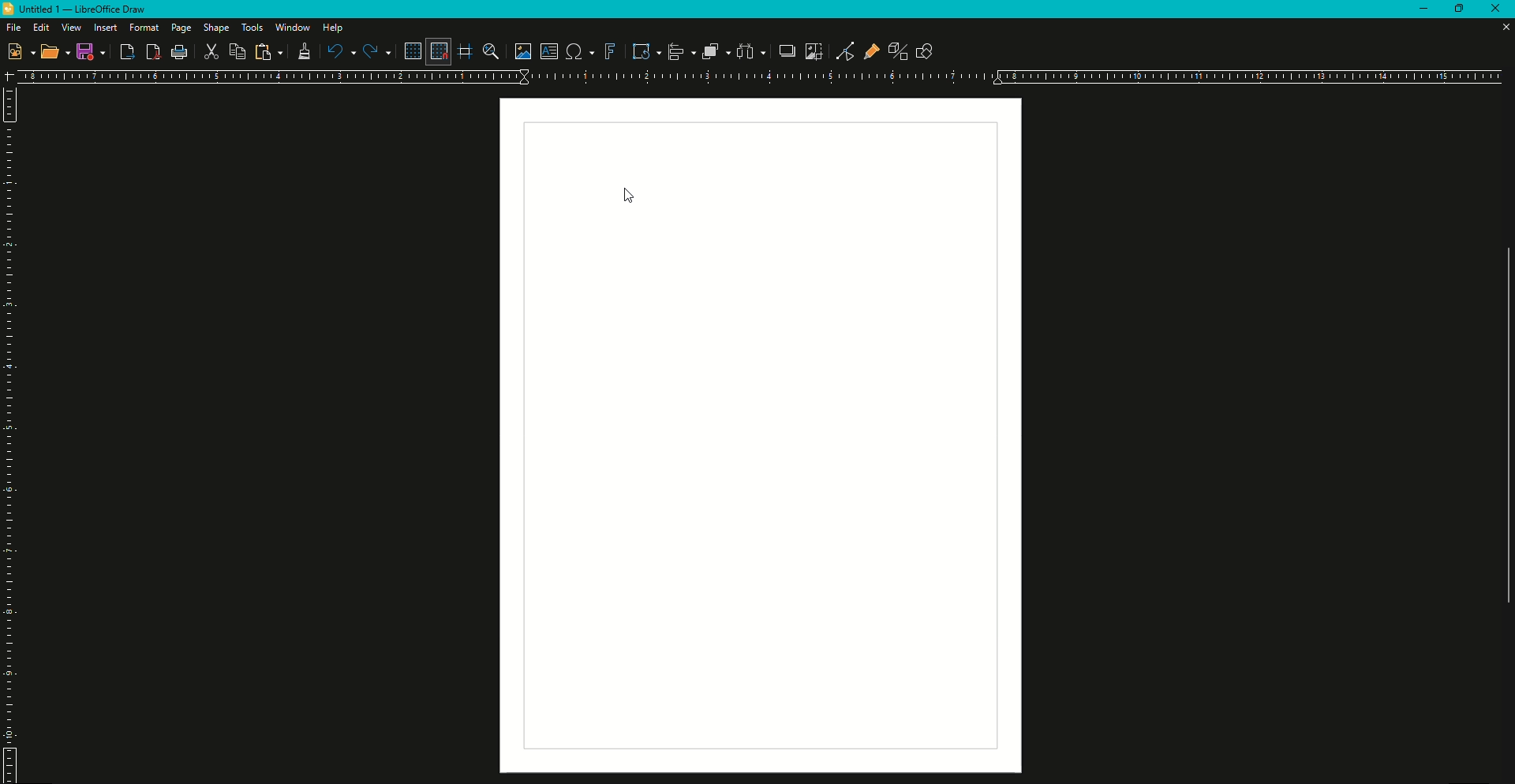 Image resolution: width=1515 pixels, height=784 pixels. Describe the element at coordinates (211, 51) in the screenshot. I see `Cut` at that location.